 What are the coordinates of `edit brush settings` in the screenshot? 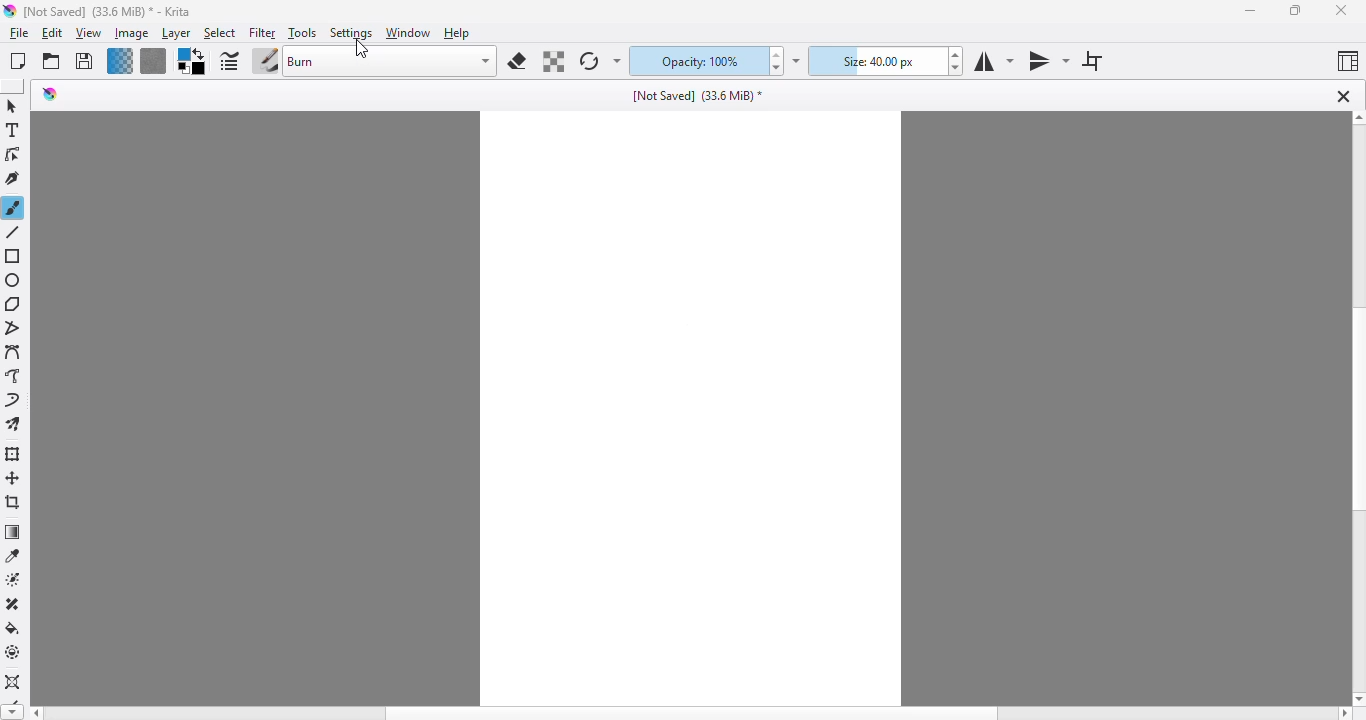 It's located at (229, 62).